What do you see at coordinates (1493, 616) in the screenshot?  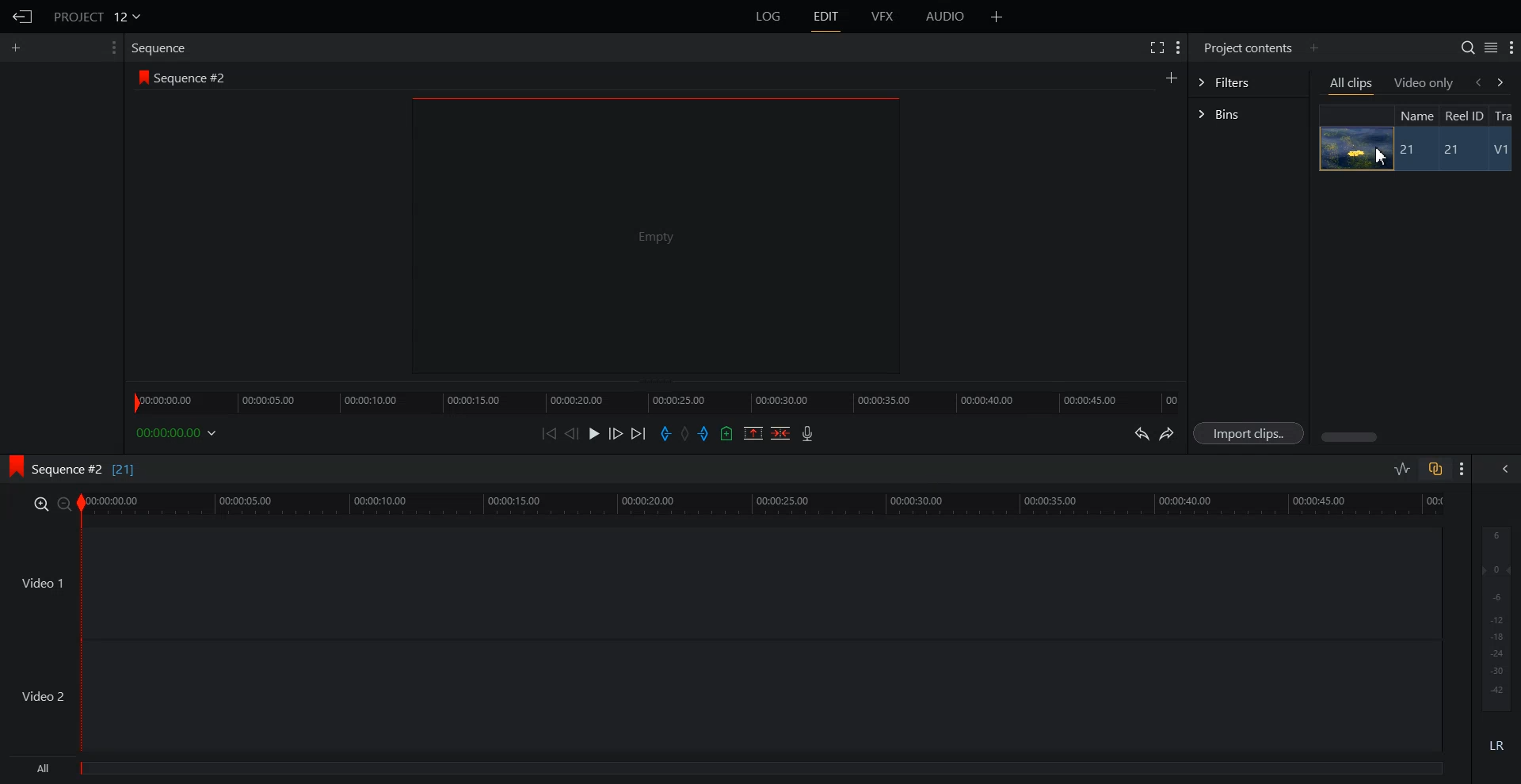 I see `Audio output level` at bounding box center [1493, 616].